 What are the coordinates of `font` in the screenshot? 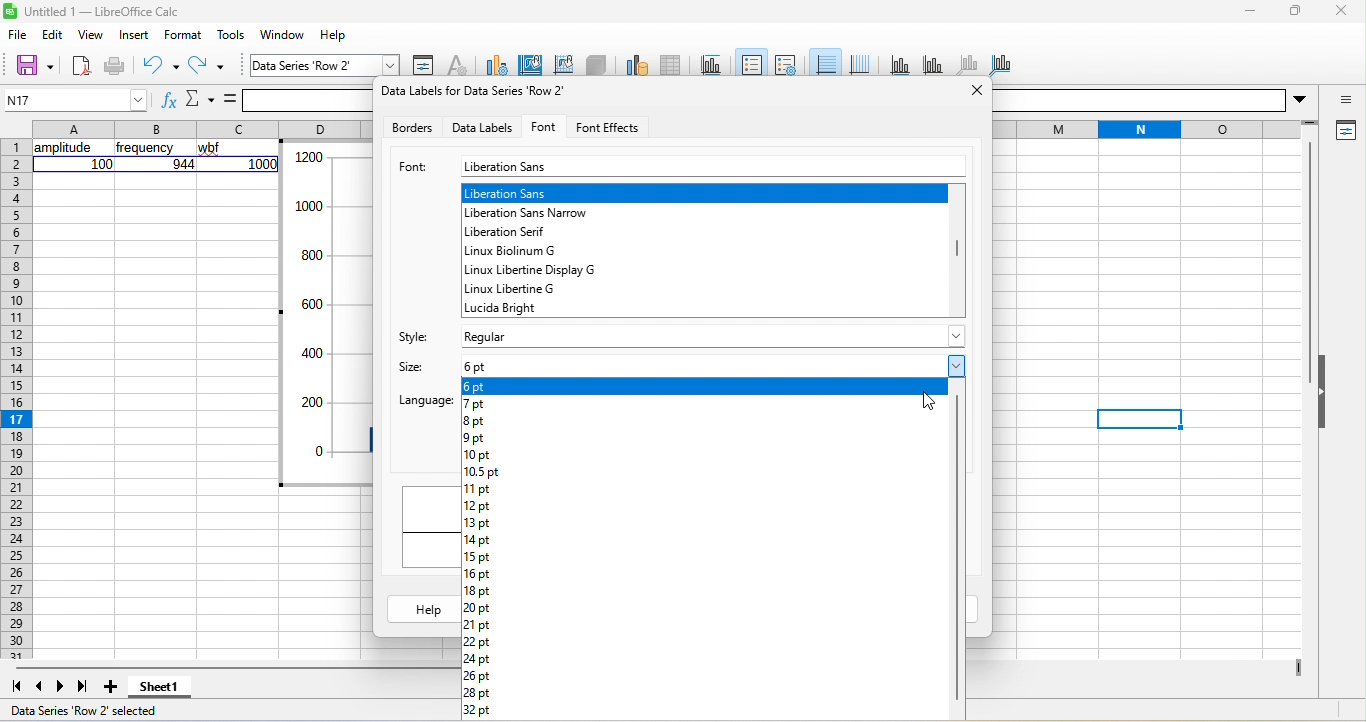 It's located at (412, 168).